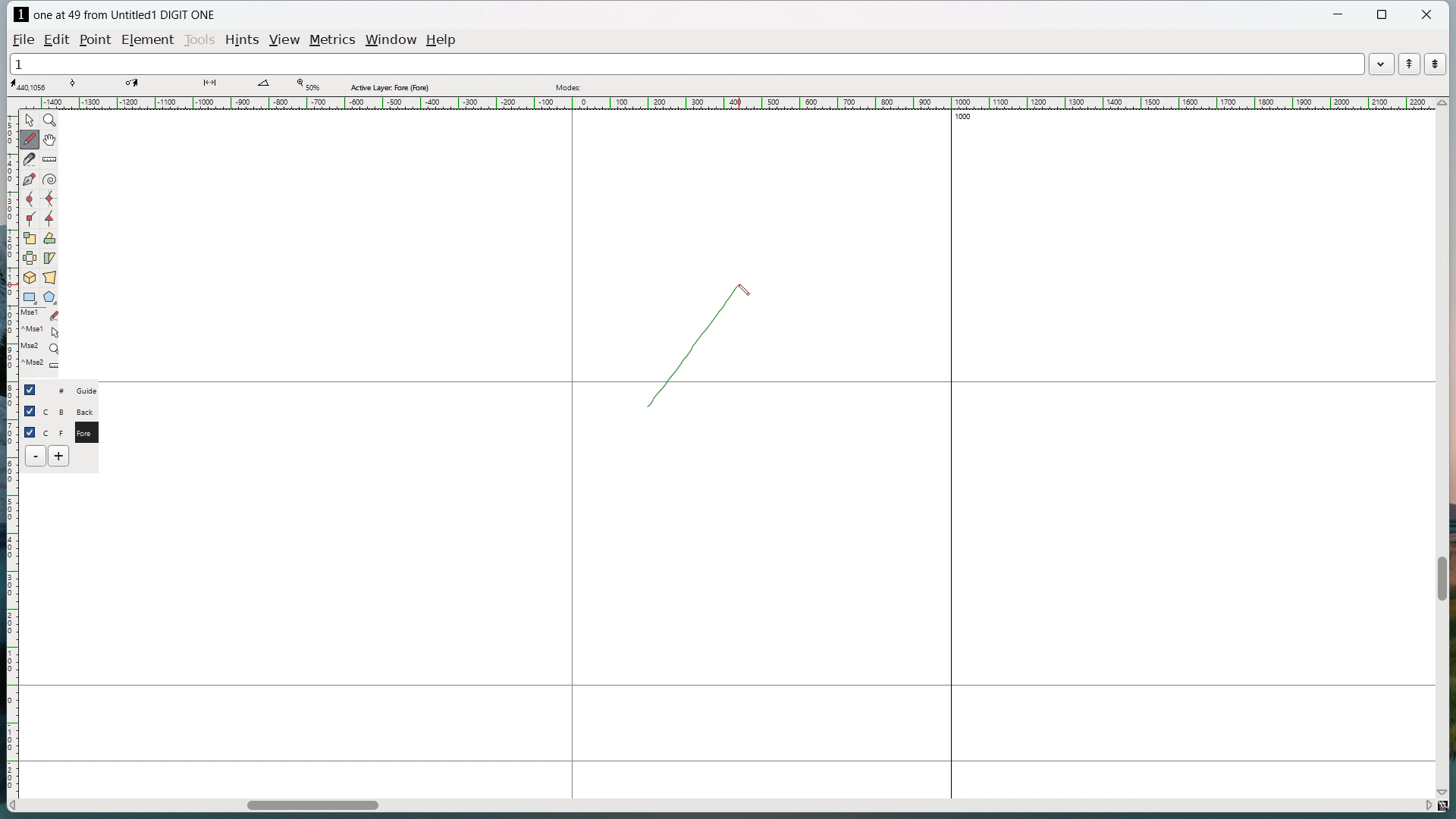 The height and width of the screenshot is (819, 1456). I want to click on rotate selection in 3d and project back to the place, so click(30, 277).